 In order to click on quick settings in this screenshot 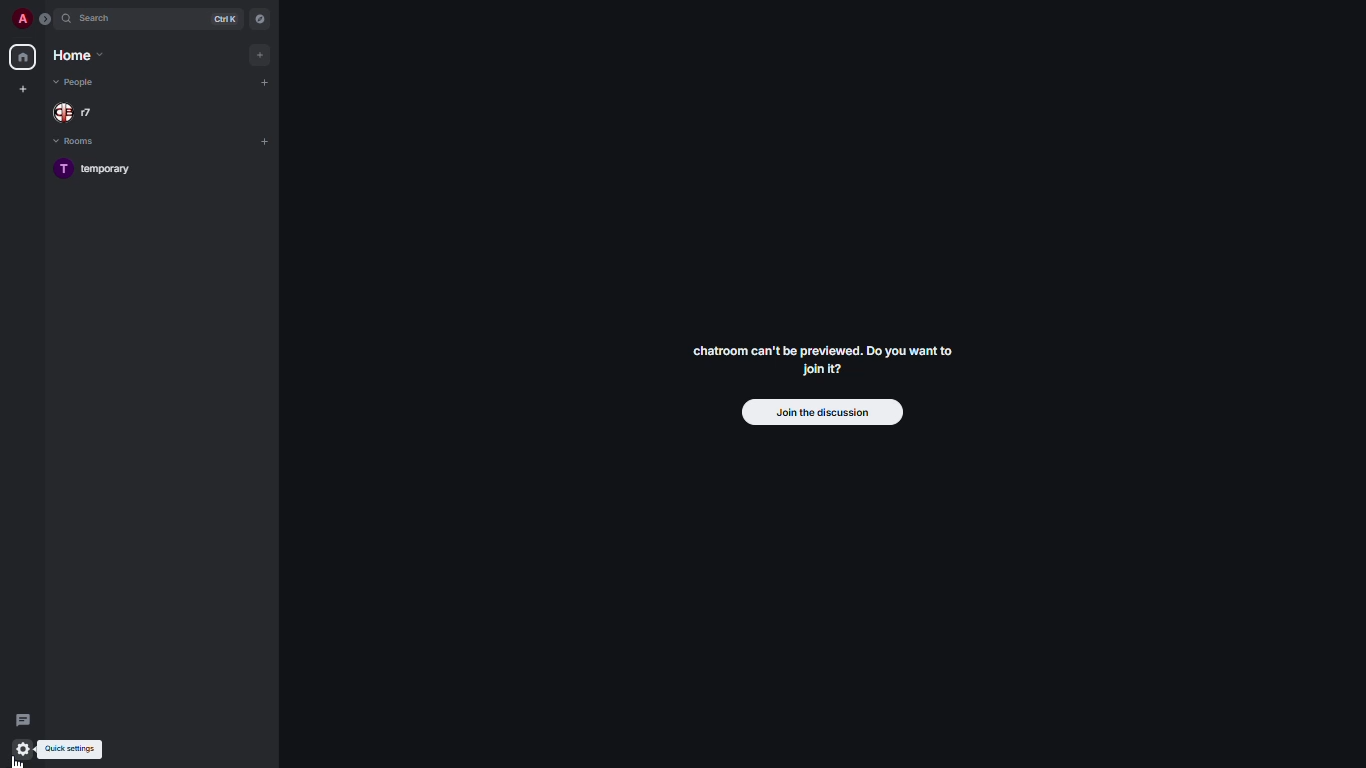, I will do `click(23, 750)`.